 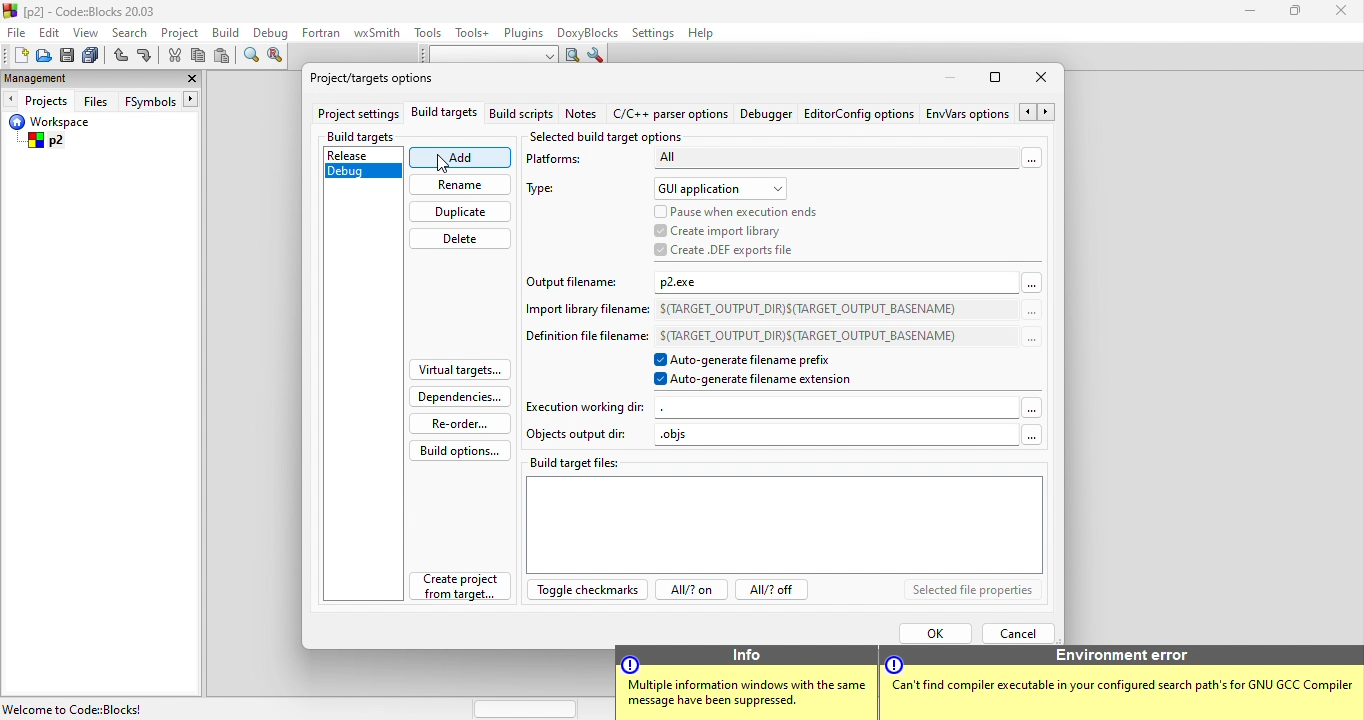 What do you see at coordinates (364, 154) in the screenshot?
I see `release` at bounding box center [364, 154].